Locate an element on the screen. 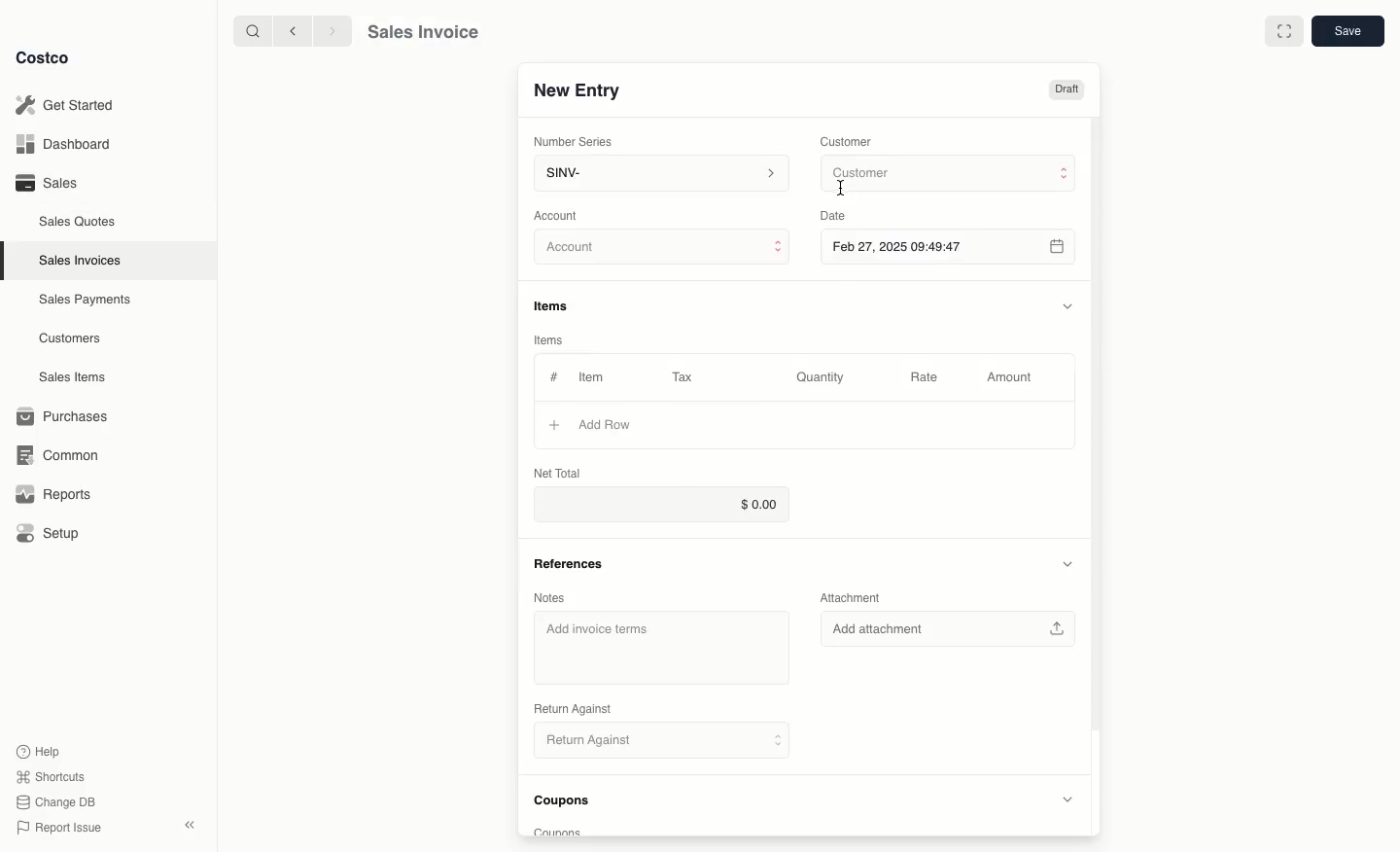 Image resolution: width=1400 pixels, height=852 pixels. Add is located at coordinates (553, 424).